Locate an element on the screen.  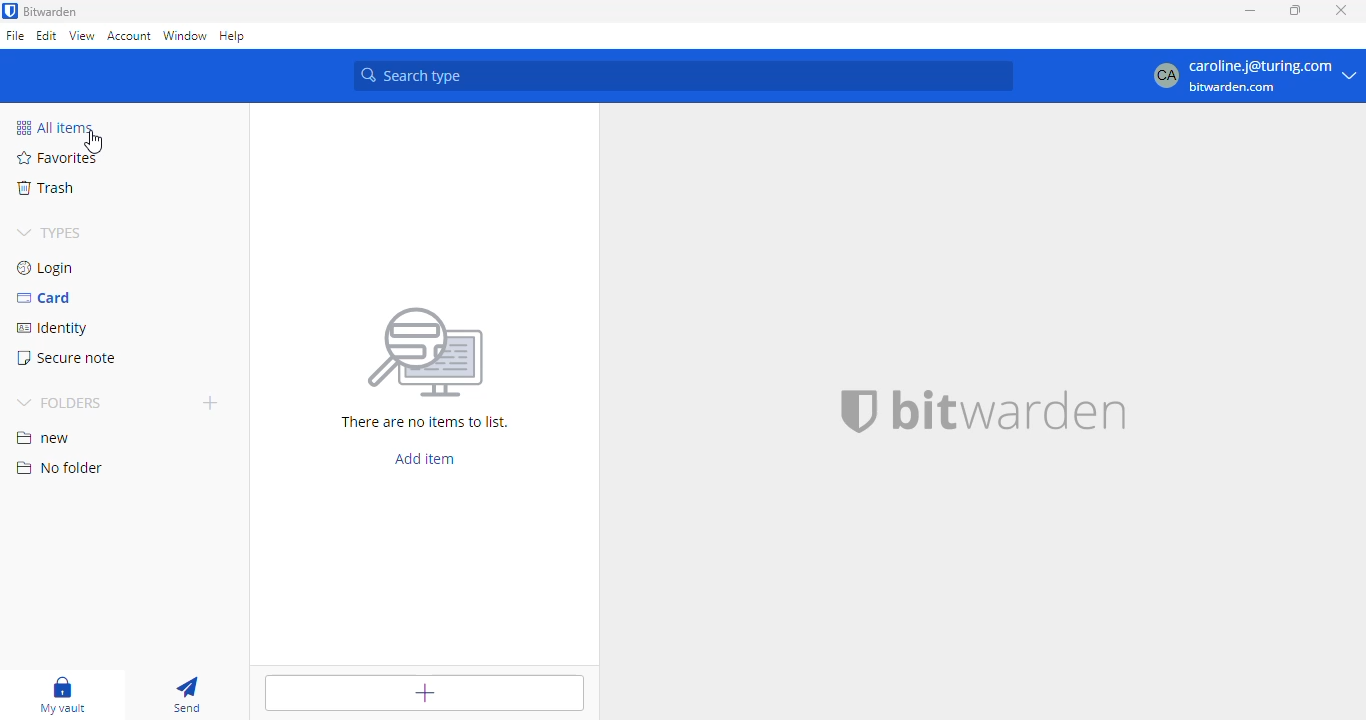
card is located at coordinates (45, 298).